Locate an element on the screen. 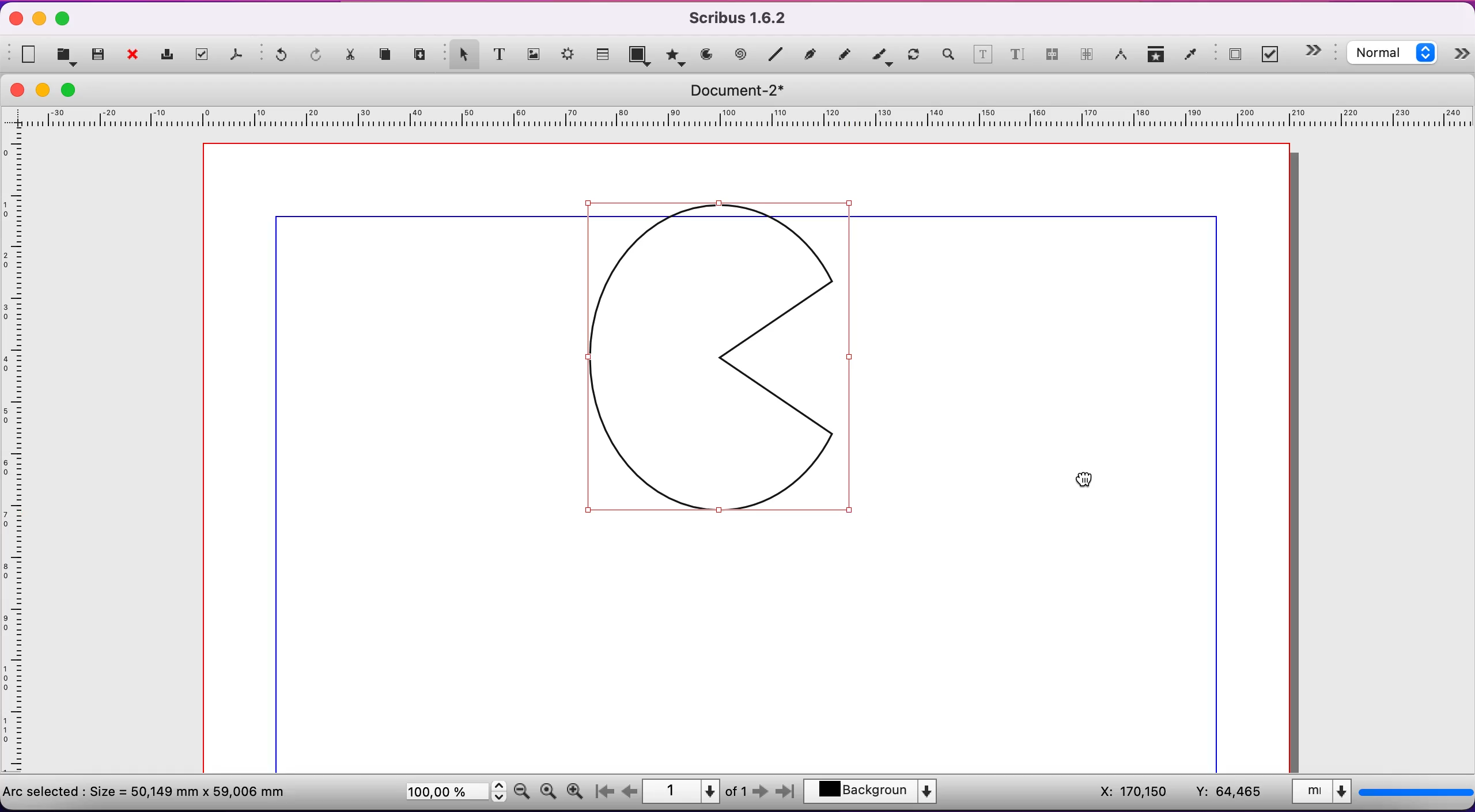 The width and height of the screenshot is (1475, 812). scribus is located at coordinates (744, 18).